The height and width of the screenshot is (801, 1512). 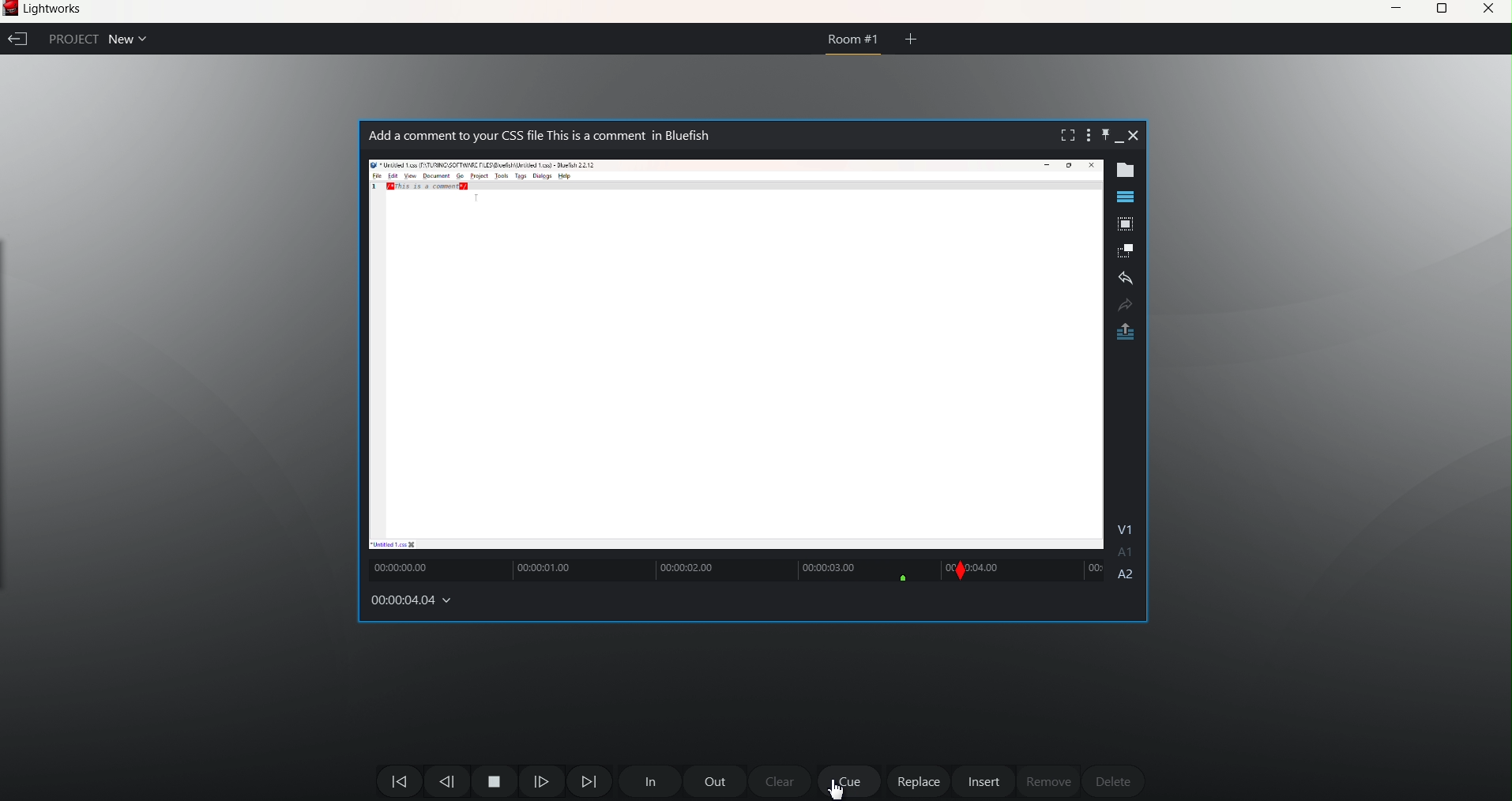 I want to click on Open Projects, so click(x=134, y=38).